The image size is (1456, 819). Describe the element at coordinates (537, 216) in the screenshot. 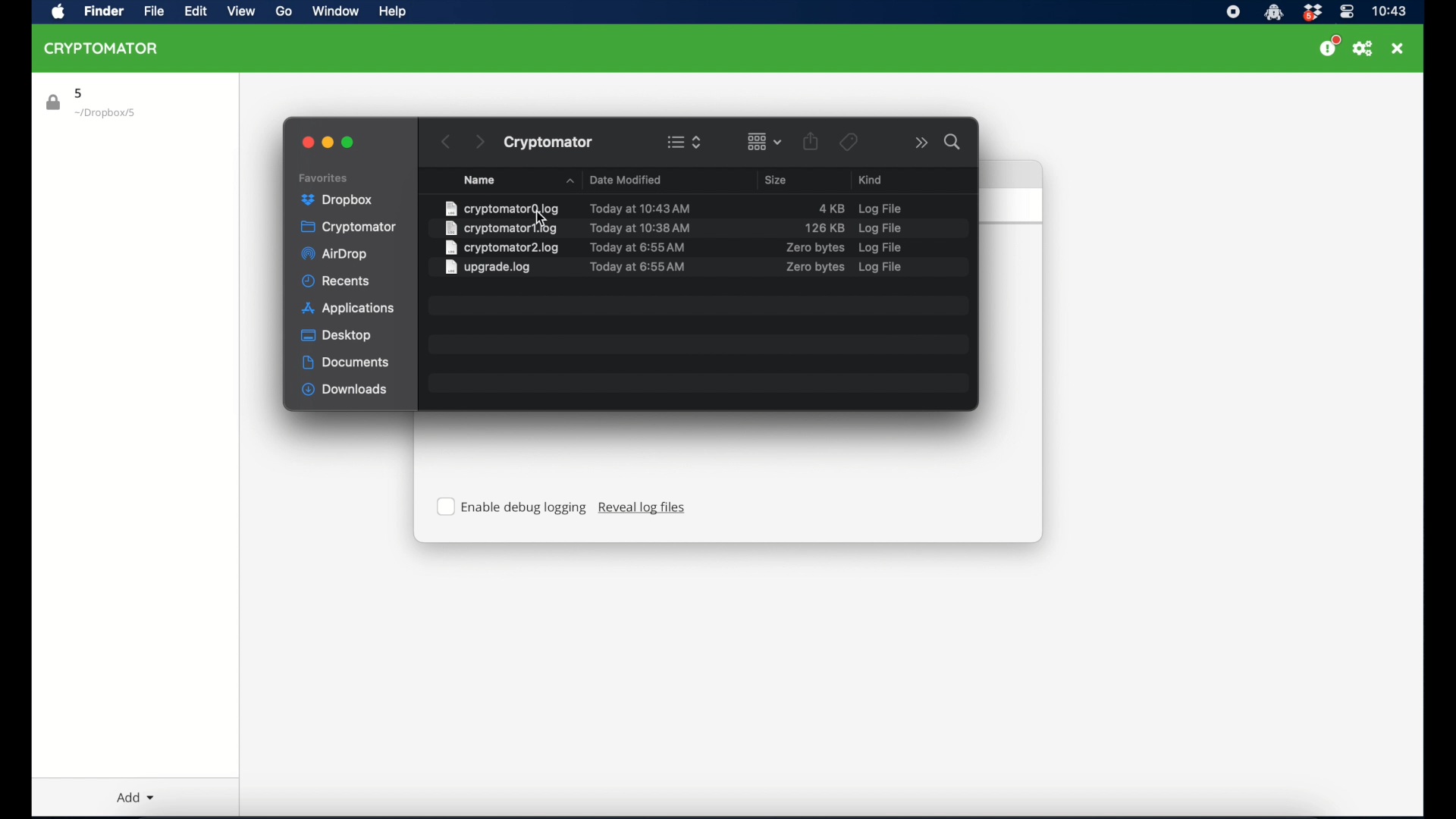

I see `cursor` at that location.